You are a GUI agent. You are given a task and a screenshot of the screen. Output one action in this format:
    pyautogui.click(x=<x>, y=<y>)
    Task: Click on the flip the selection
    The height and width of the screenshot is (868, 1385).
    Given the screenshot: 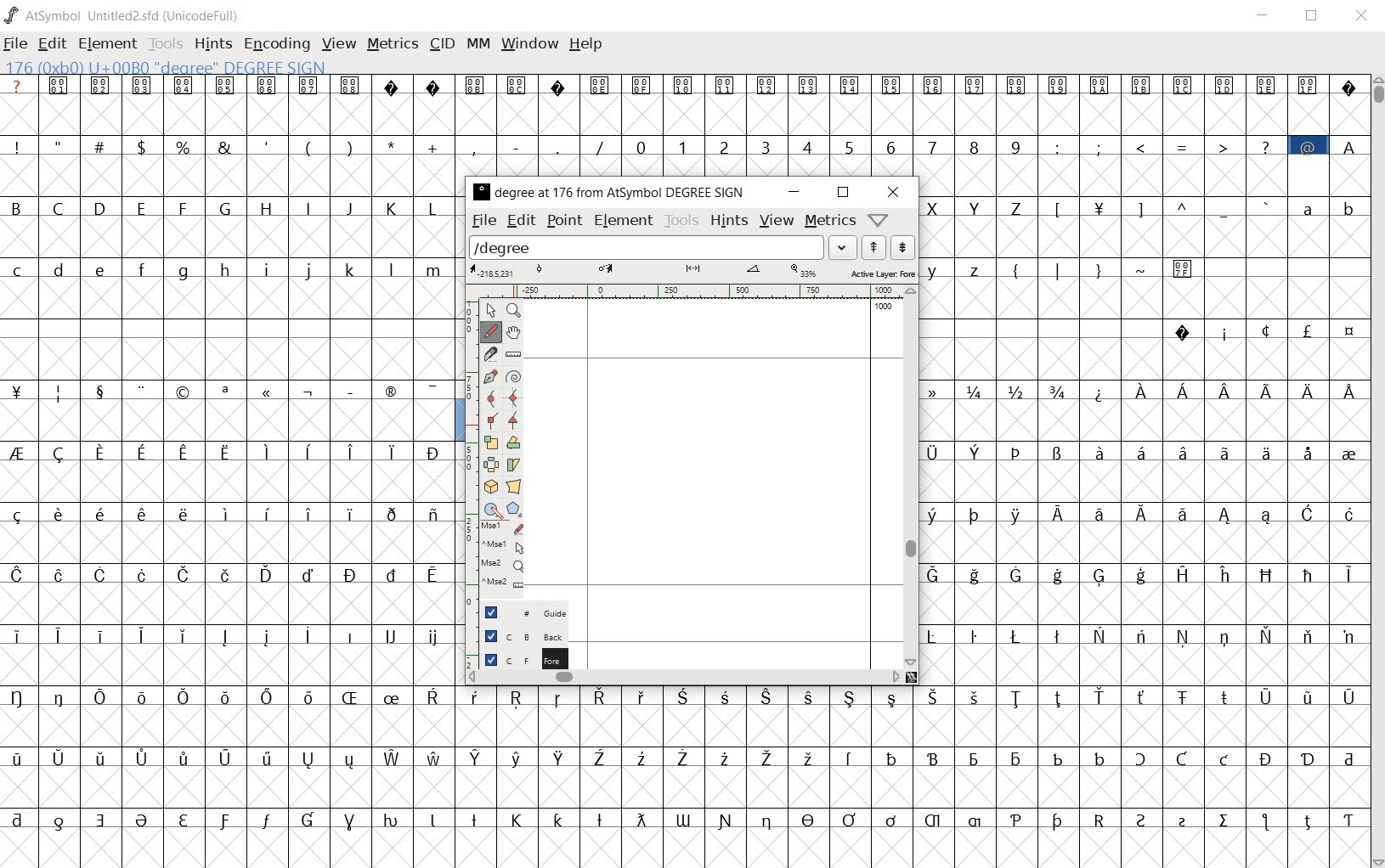 What is the action you would take?
    pyautogui.click(x=489, y=465)
    